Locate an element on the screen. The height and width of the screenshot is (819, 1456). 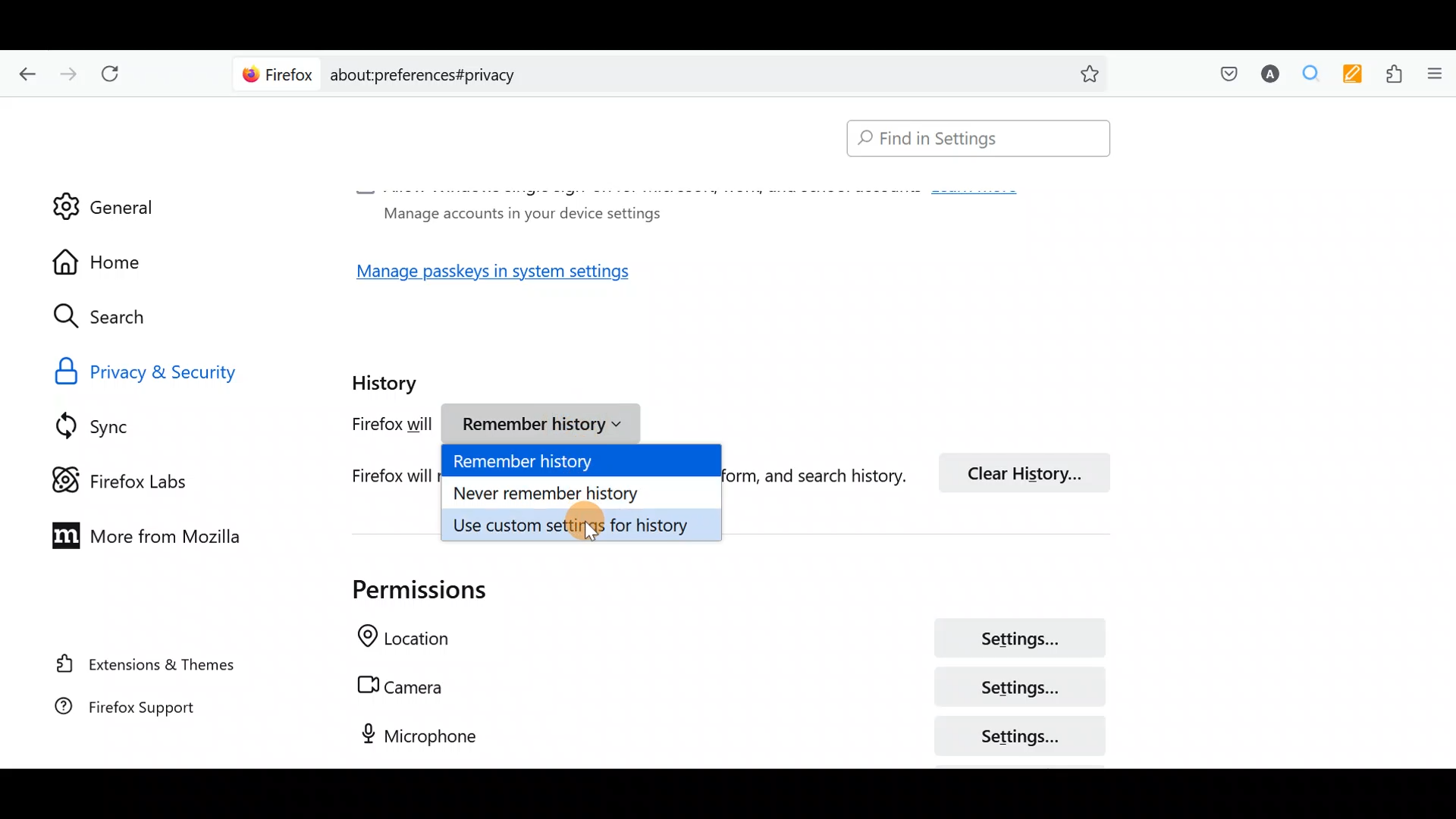
Go back one page is located at coordinates (24, 72).